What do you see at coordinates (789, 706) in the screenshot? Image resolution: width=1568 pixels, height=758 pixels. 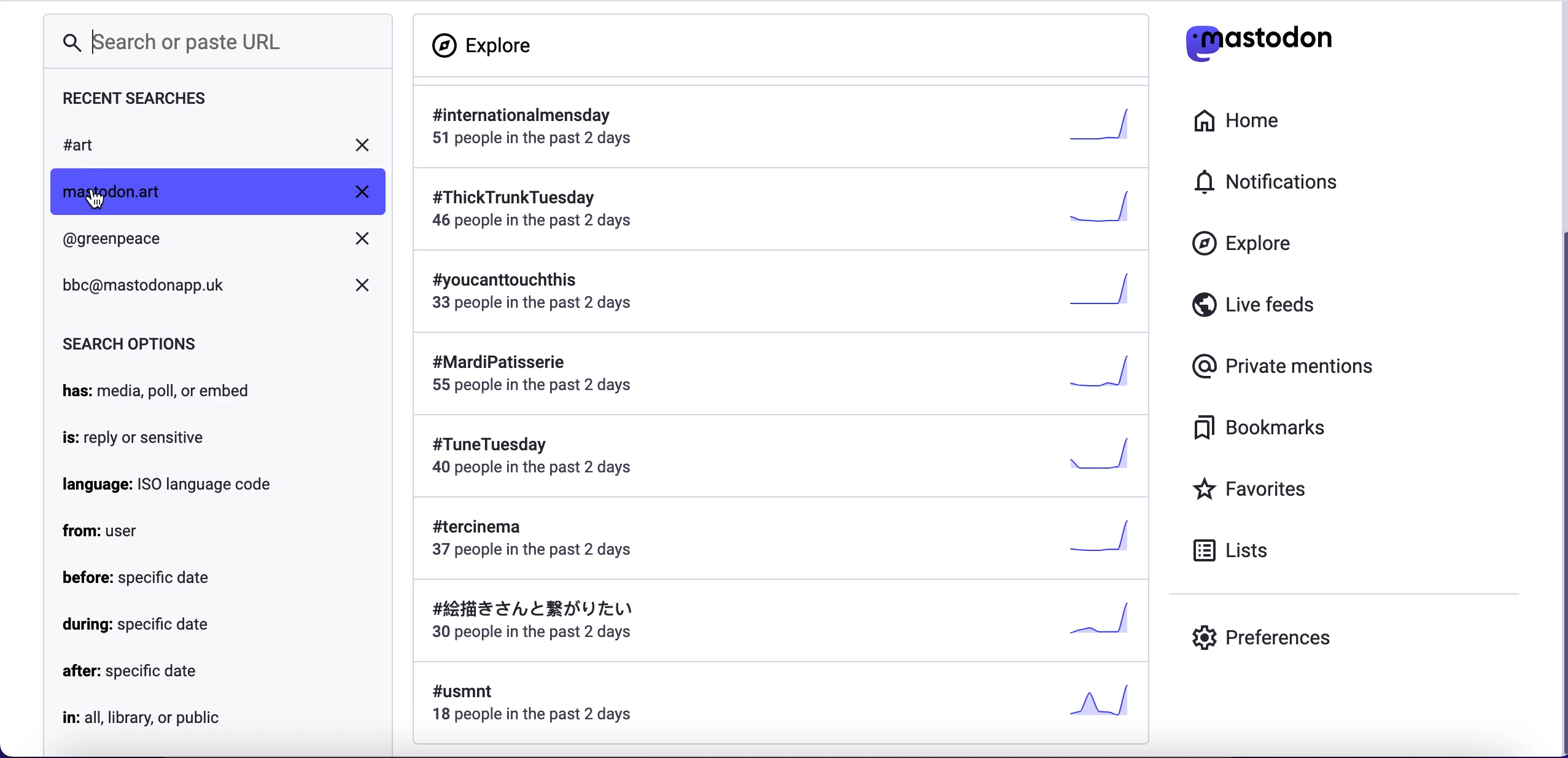 I see `#usmnt` at bounding box center [789, 706].